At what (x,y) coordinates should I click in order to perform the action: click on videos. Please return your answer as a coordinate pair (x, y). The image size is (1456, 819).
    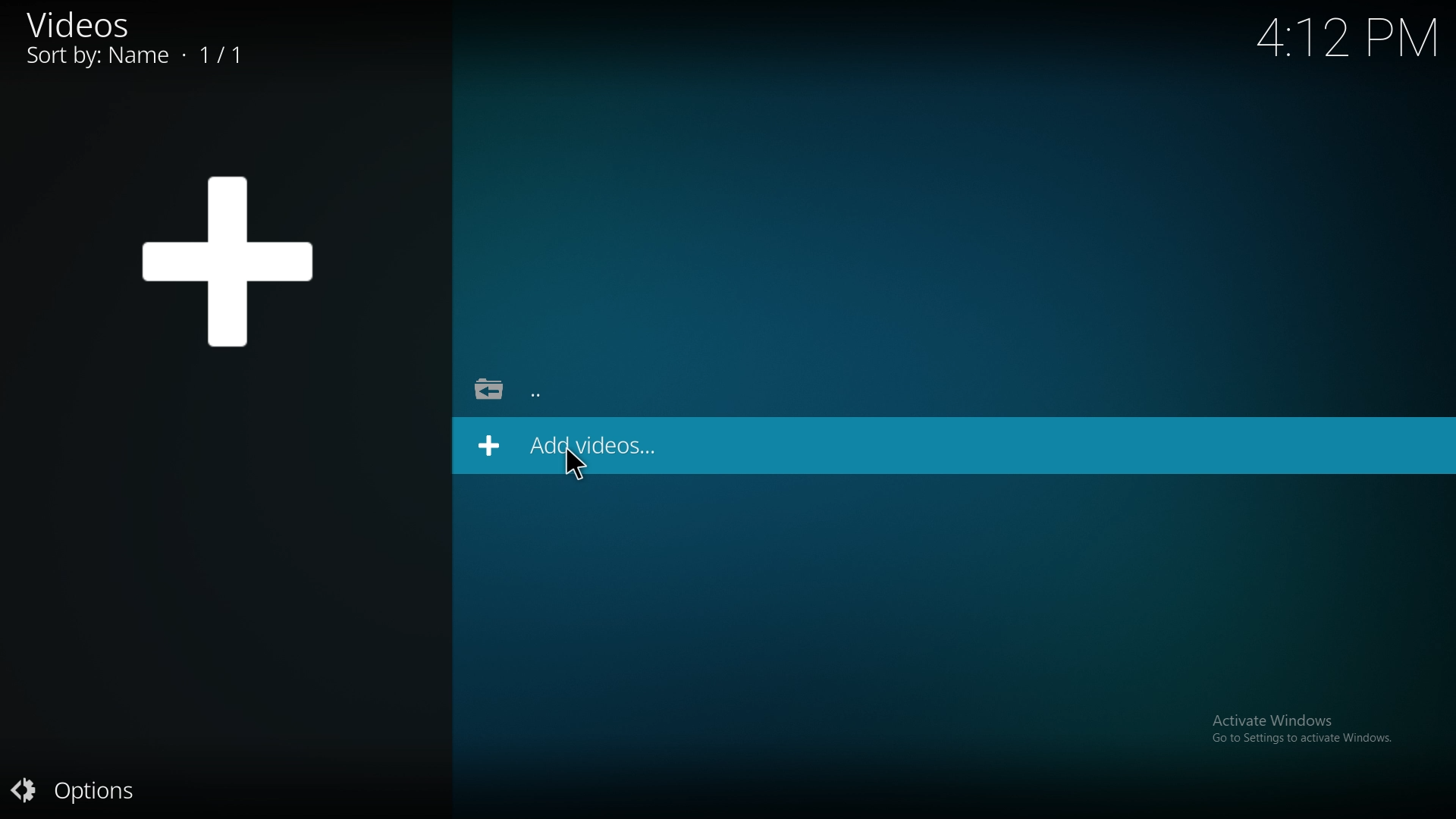
    Looking at the image, I should click on (144, 42).